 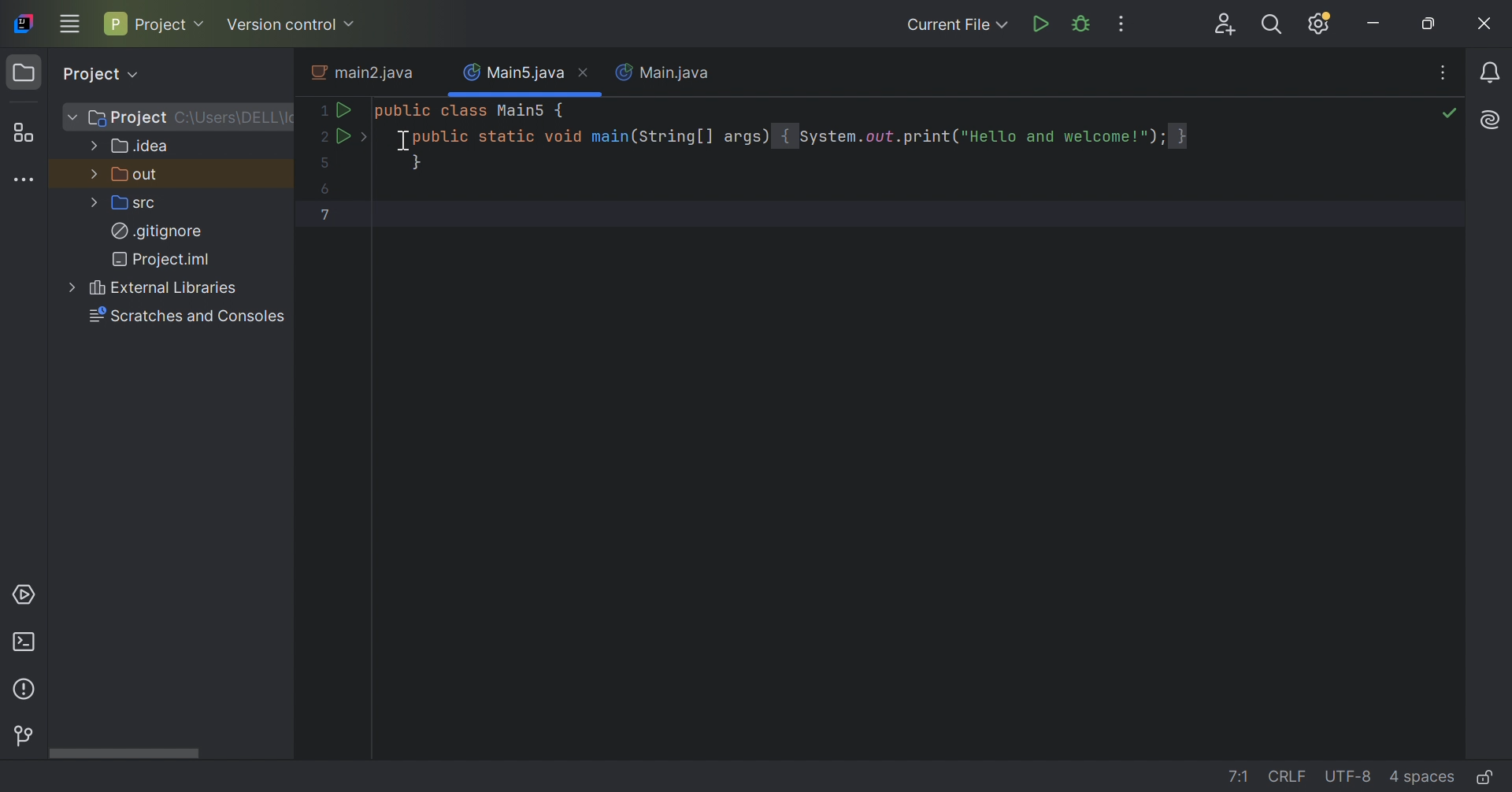 I want to click on 2, so click(x=321, y=135).